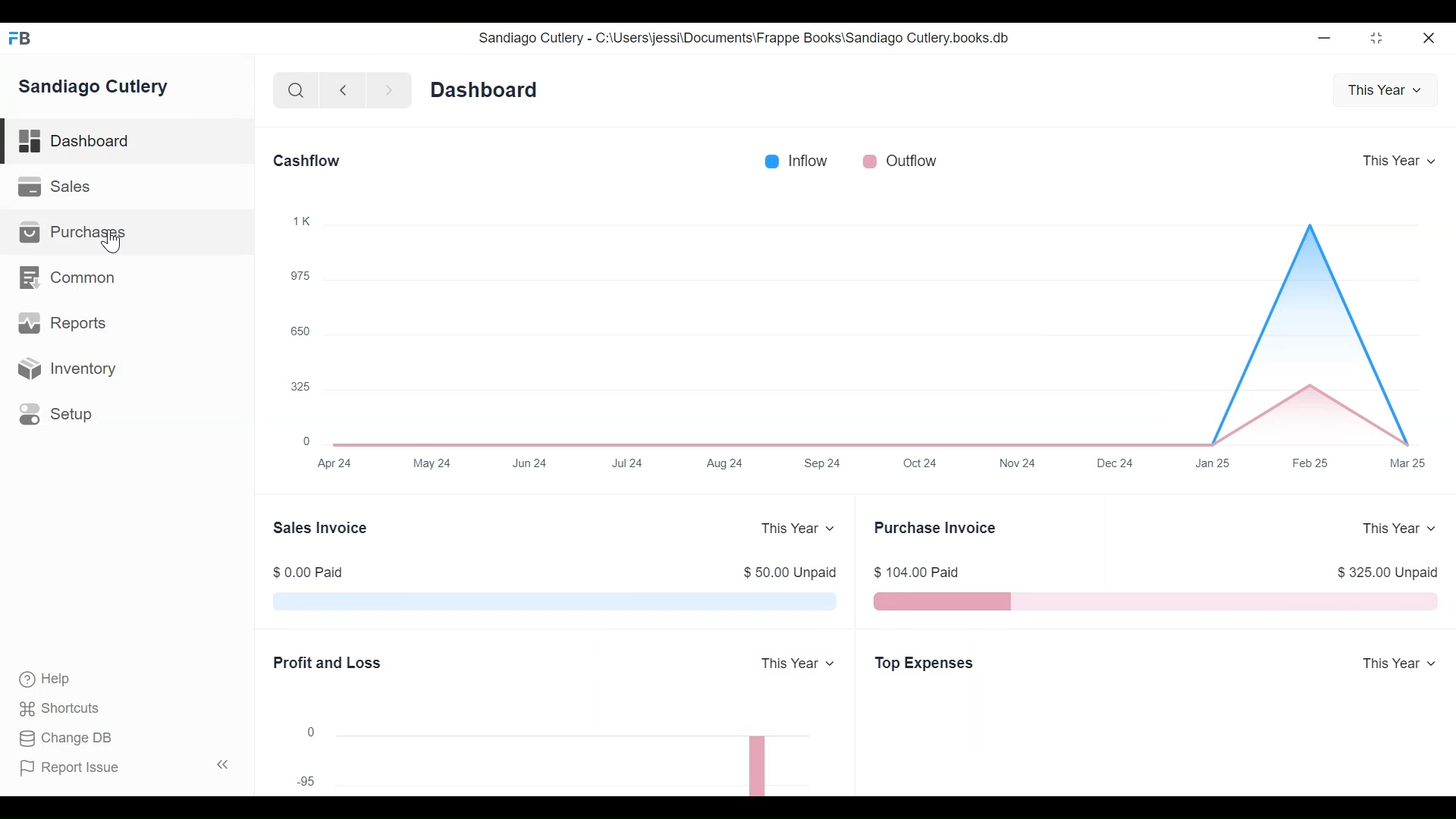 The width and height of the screenshot is (1456, 819). What do you see at coordinates (1401, 527) in the screenshot?
I see `This Year ` at bounding box center [1401, 527].